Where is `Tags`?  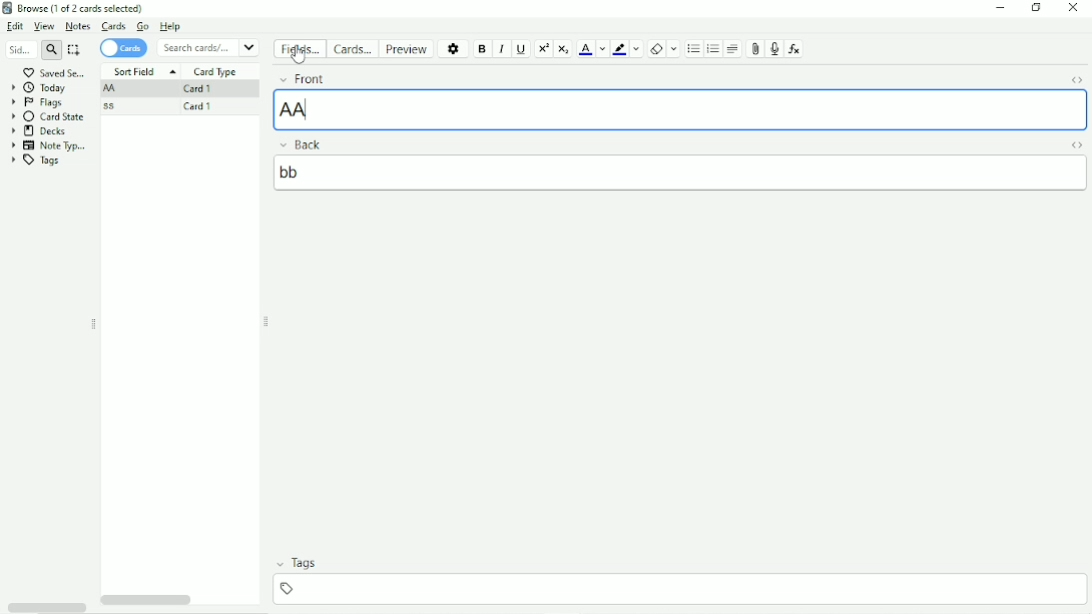
Tags is located at coordinates (36, 161).